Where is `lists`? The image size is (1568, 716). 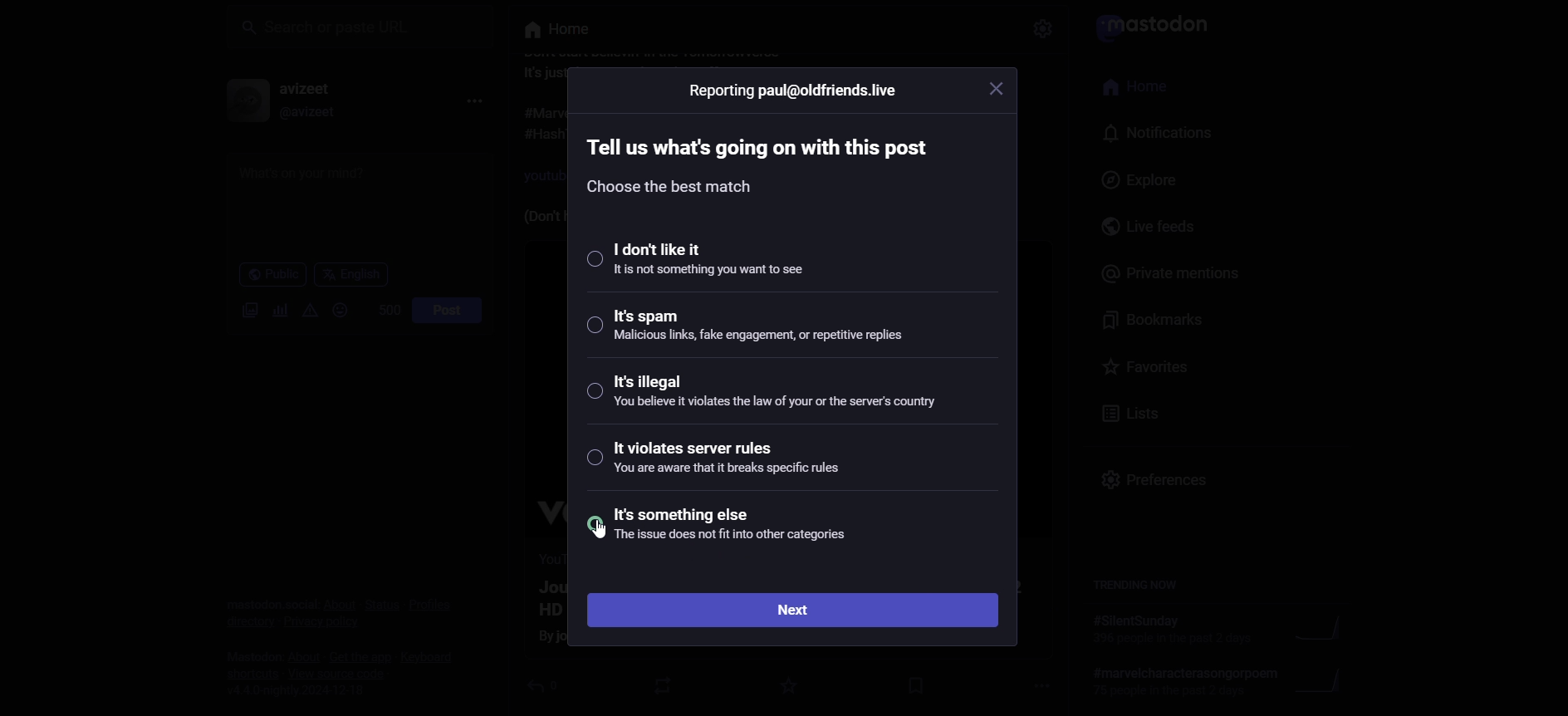 lists is located at coordinates (1126, 414).